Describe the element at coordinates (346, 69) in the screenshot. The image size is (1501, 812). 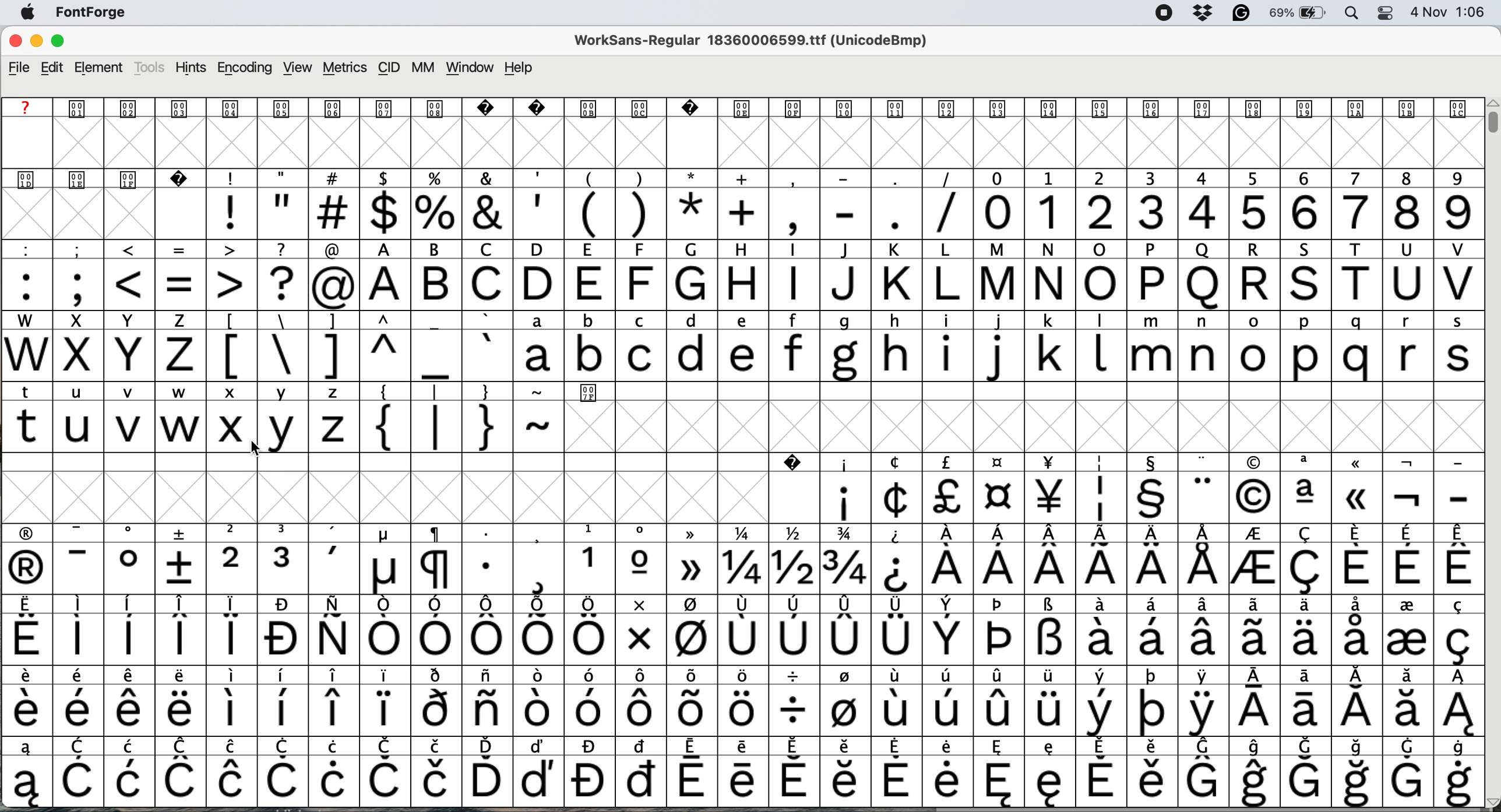
I see `metrics` at that location.